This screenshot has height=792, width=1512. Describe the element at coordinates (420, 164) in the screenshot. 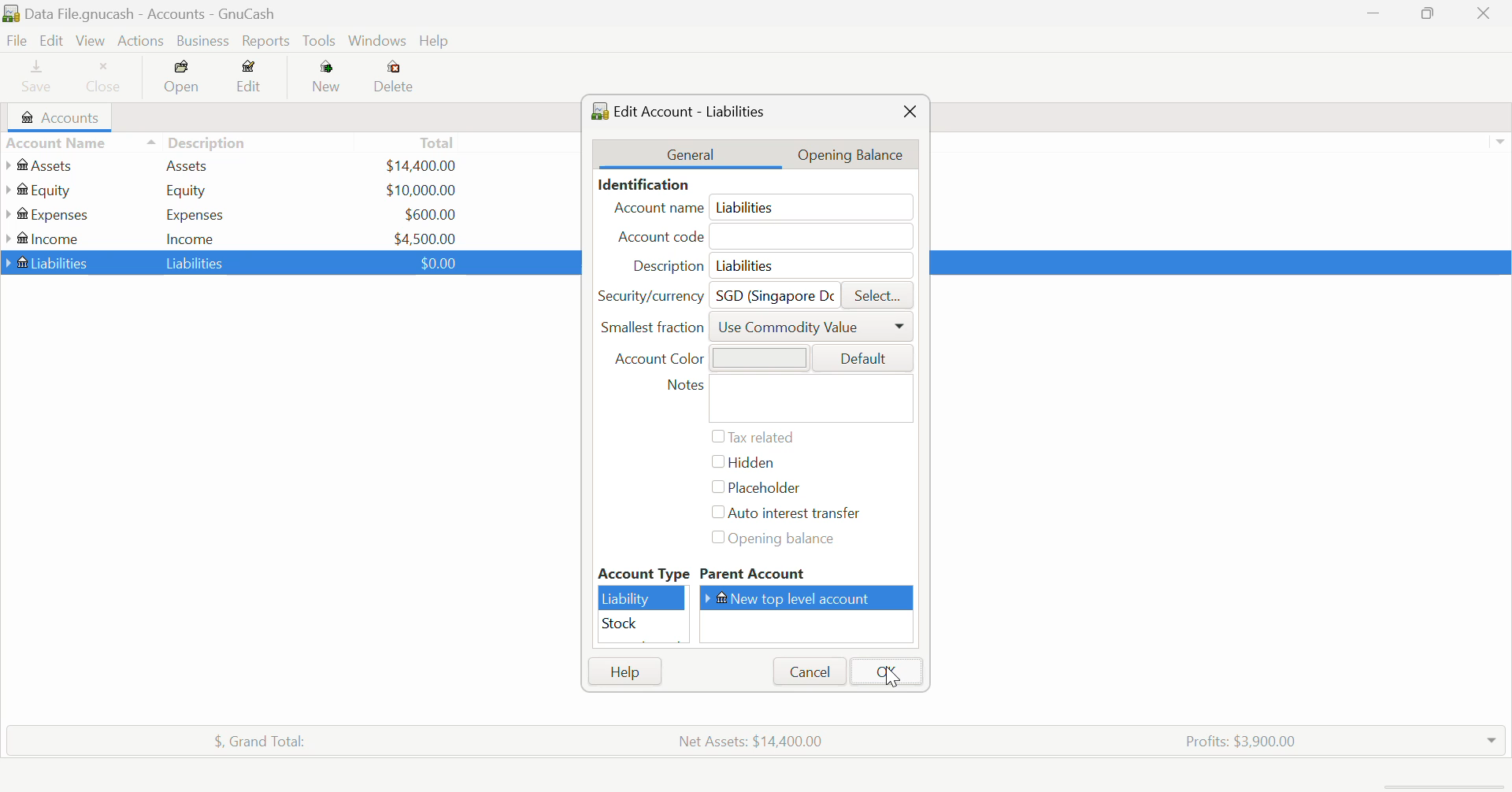

I see `USd` at that location.